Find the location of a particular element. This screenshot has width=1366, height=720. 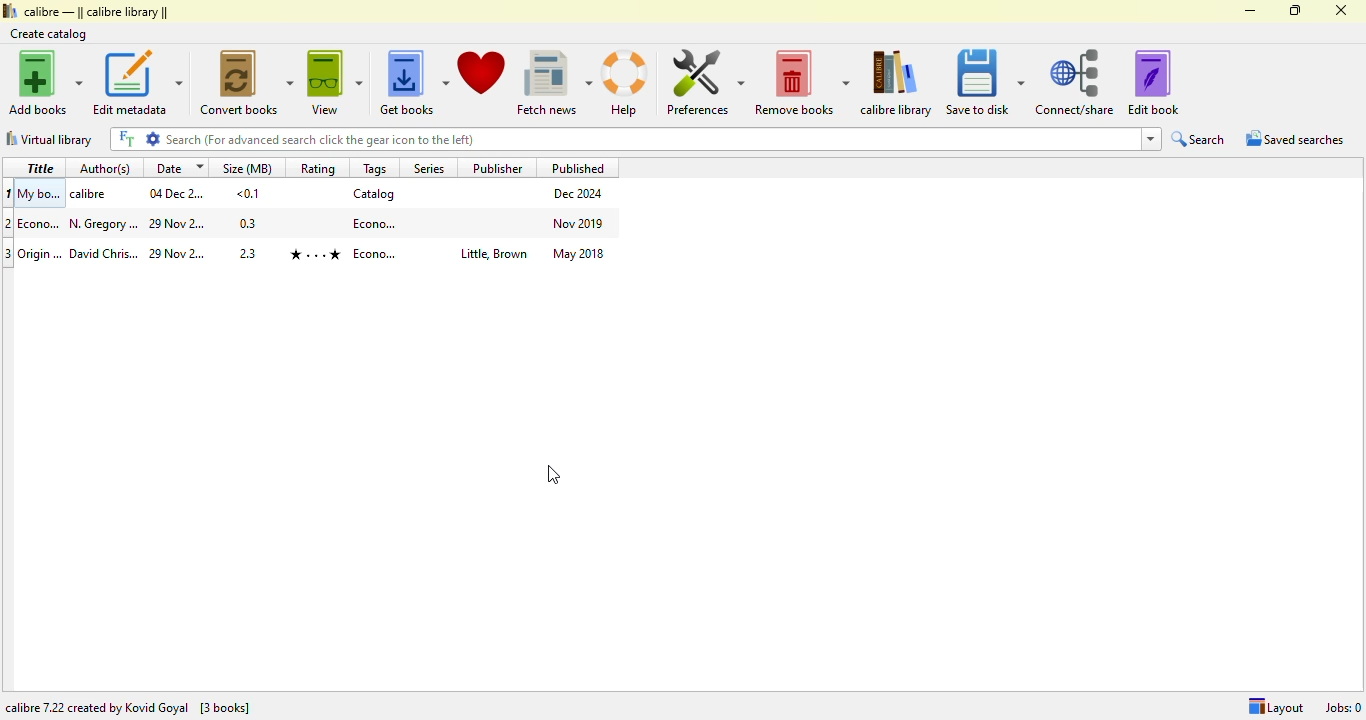

edit book is located at coordinates (1153, 82).